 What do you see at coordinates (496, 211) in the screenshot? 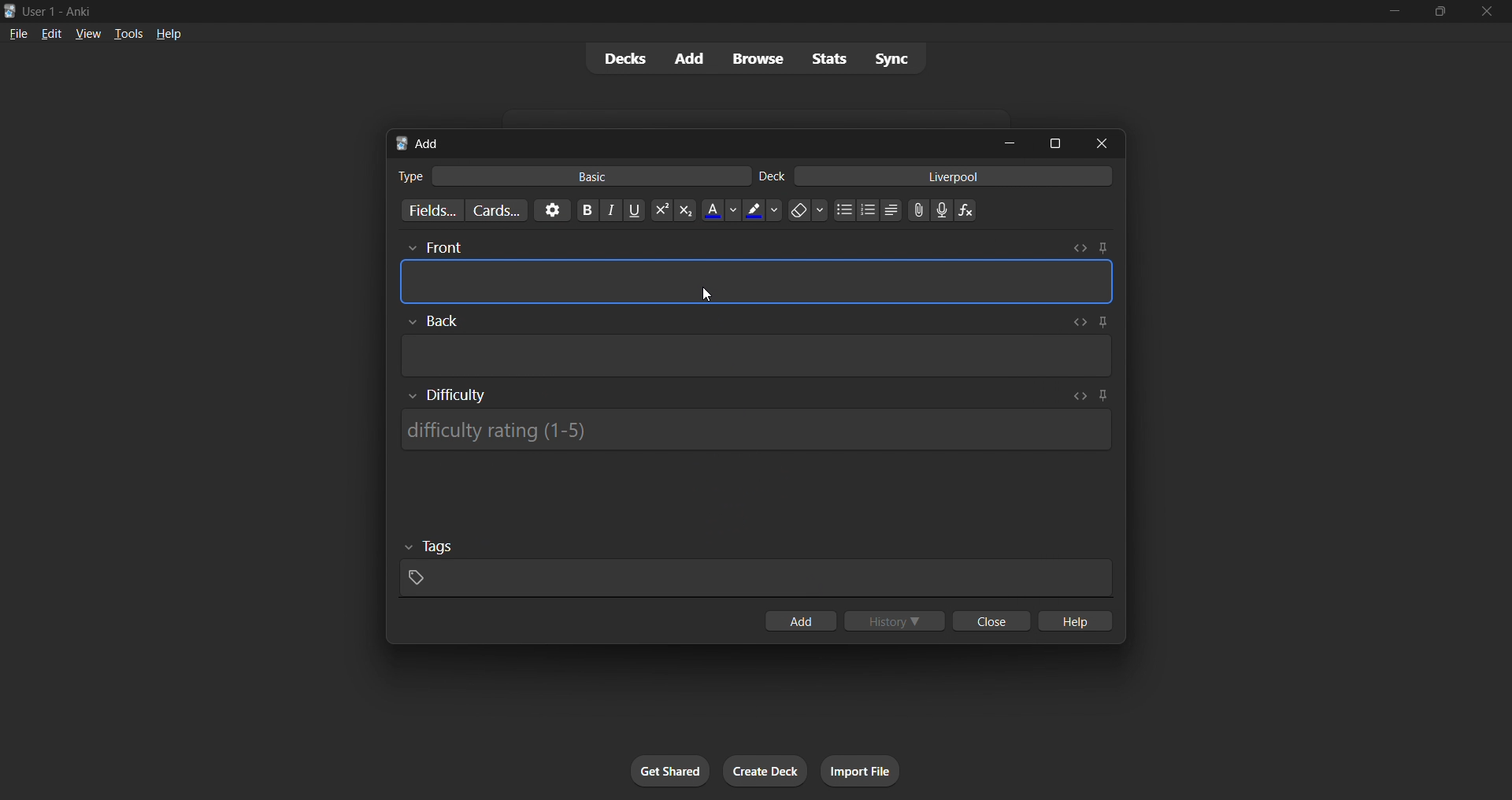
I see `customize card templates` at bounding box center [496, 211].